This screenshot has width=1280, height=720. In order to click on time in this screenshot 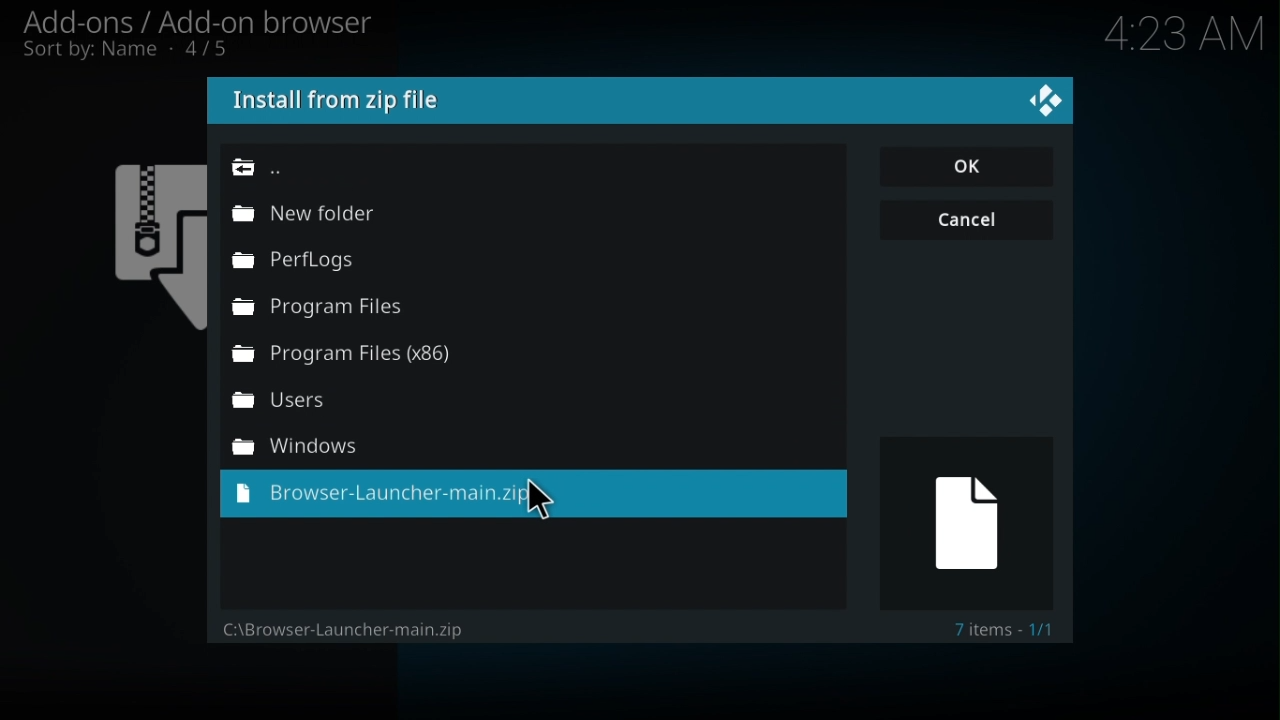, I will do `click(1187, 36)`.